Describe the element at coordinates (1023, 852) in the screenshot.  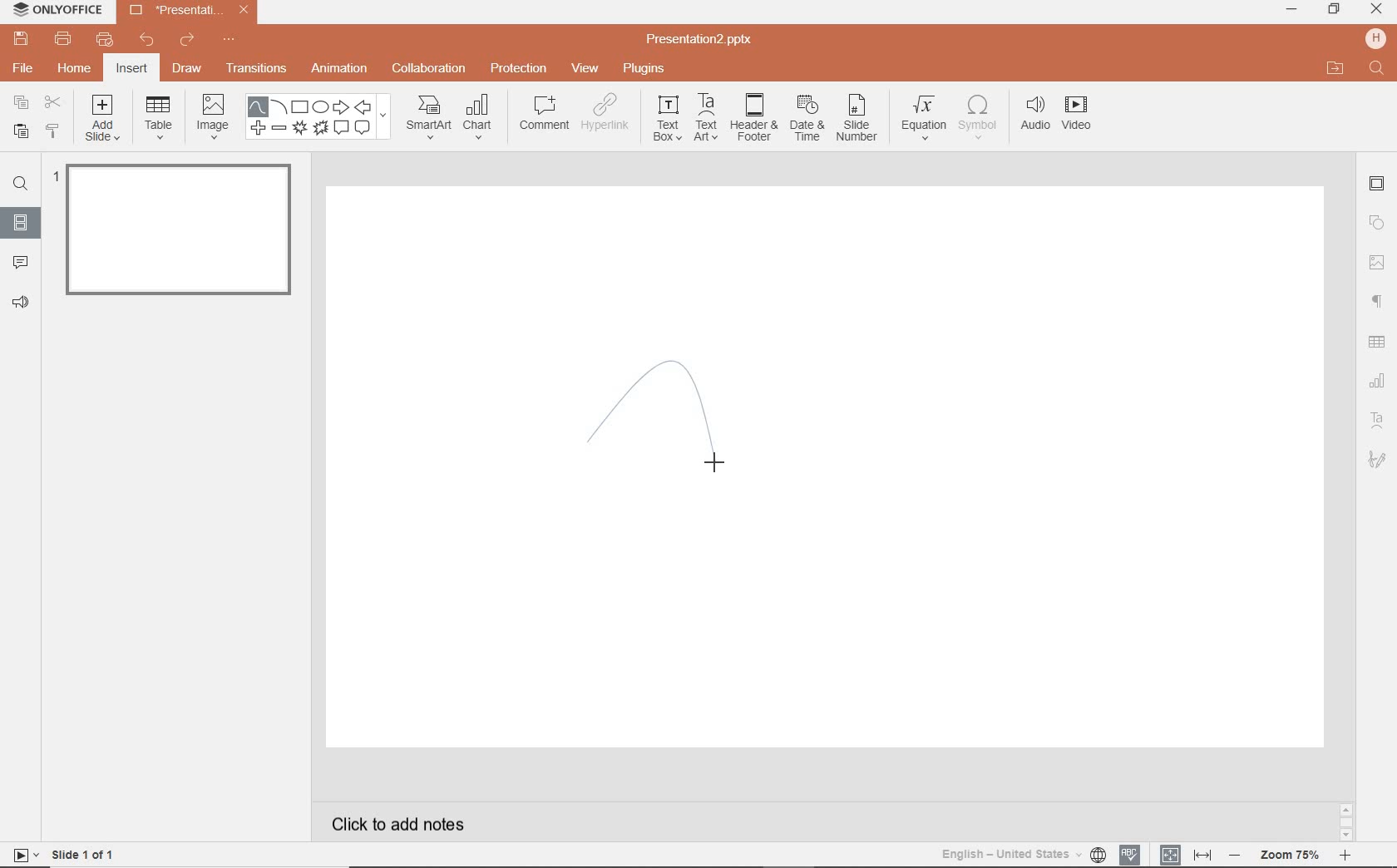
I see `TEXT LANGUAGE` at that location.